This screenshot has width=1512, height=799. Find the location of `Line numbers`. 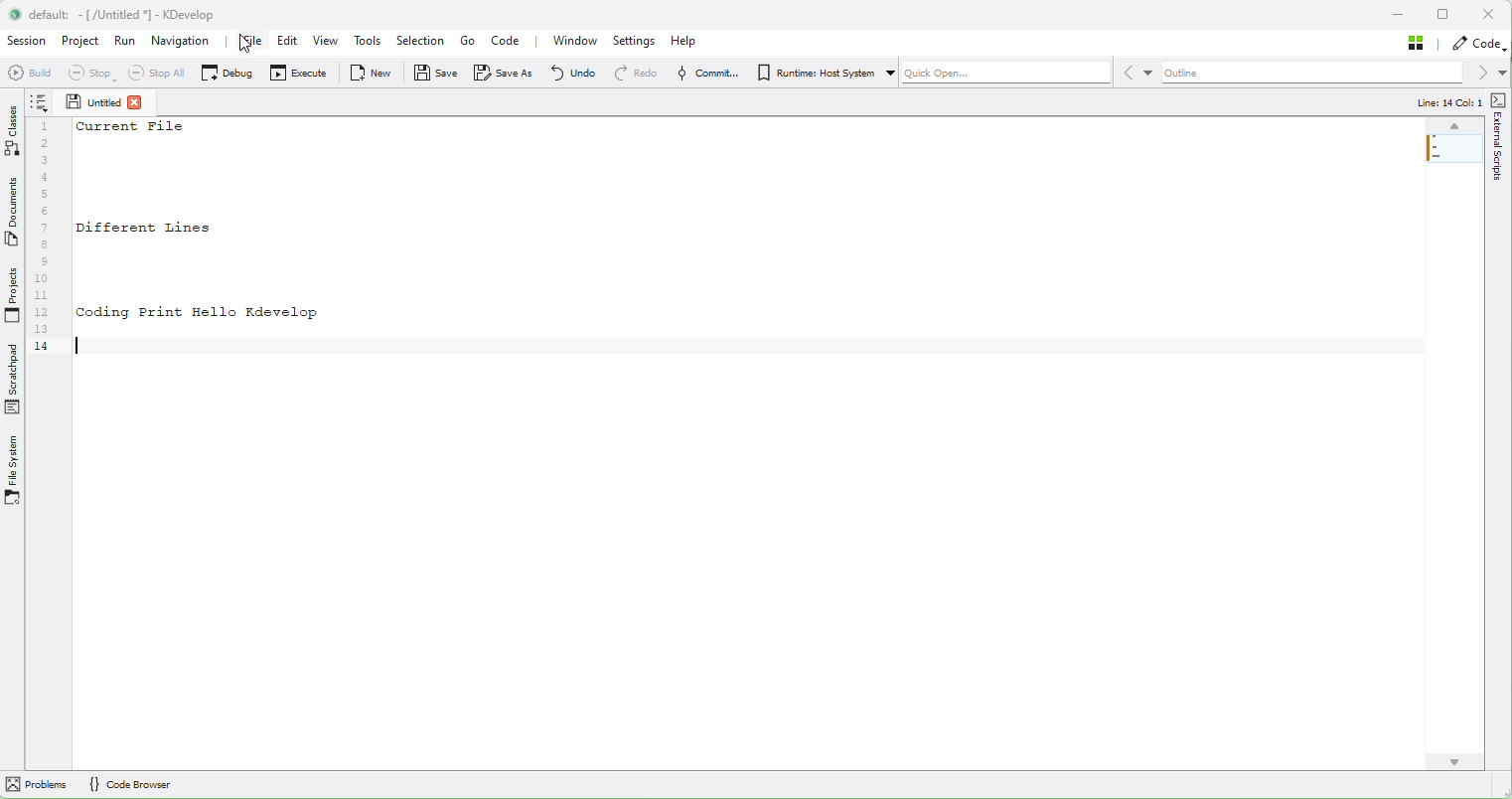

Line numbers is located at coordinates (47, 239).